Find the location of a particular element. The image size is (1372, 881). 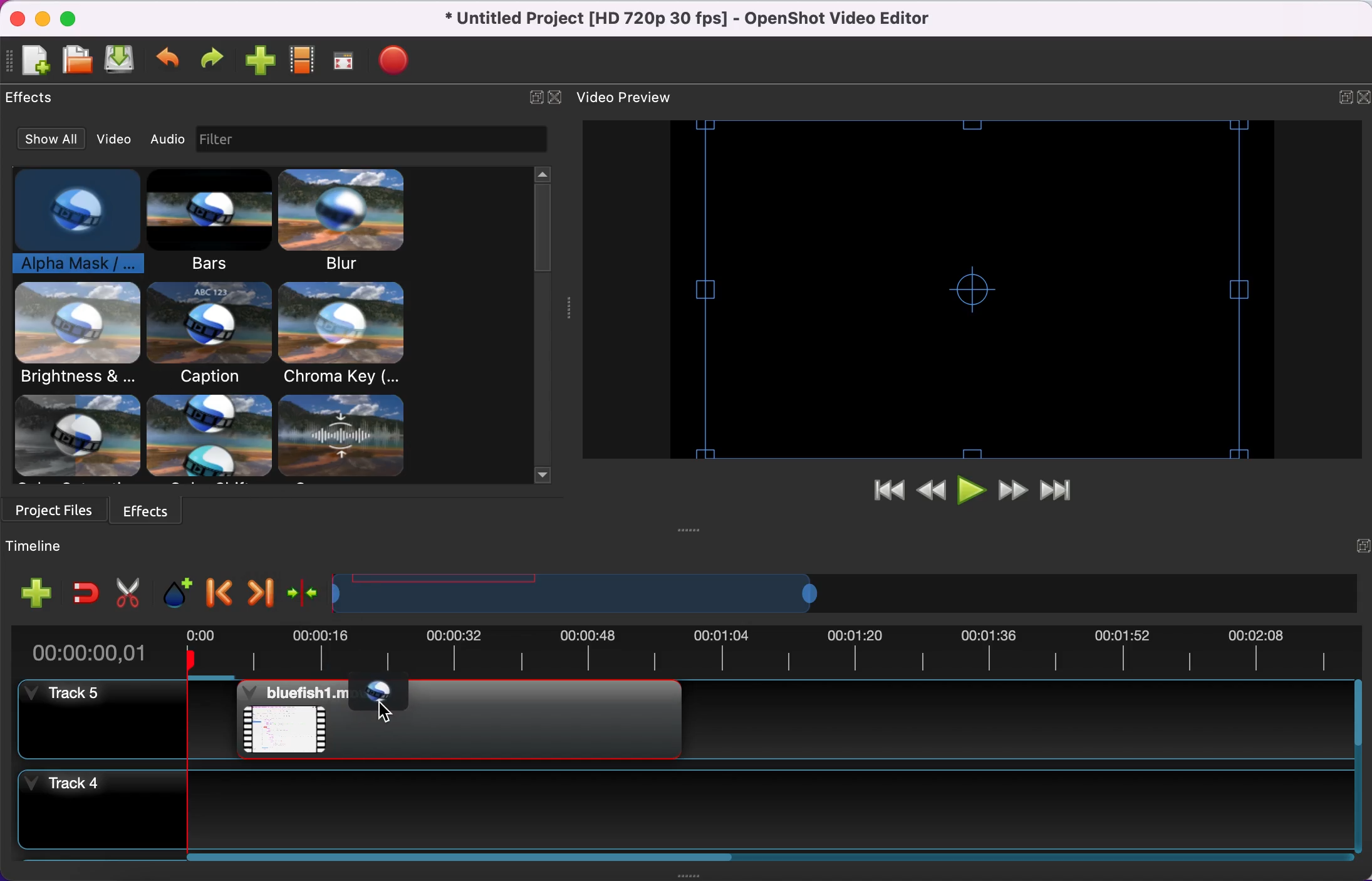

enable snapping is located at coordinates (83, 594).